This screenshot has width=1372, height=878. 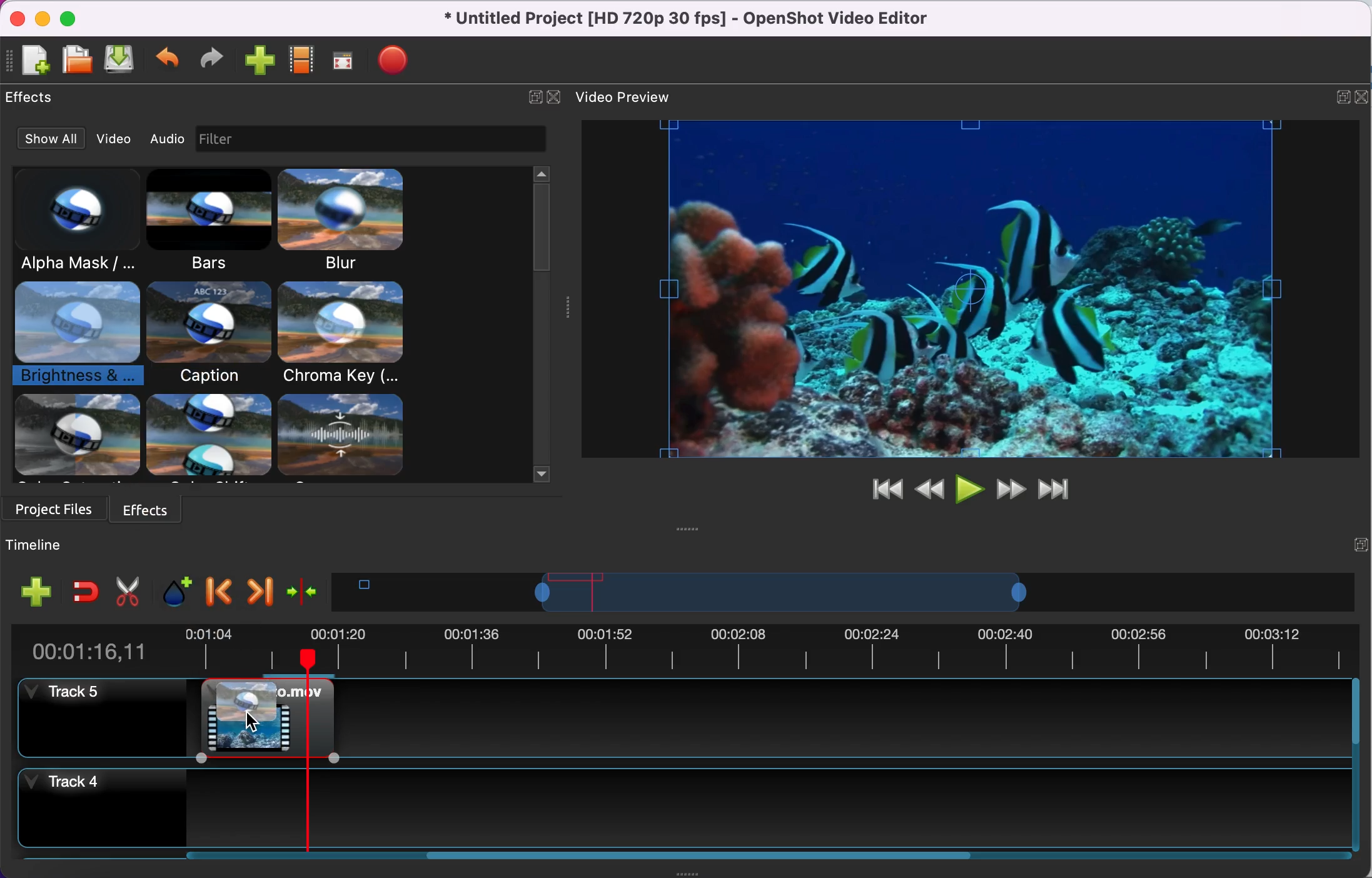 I want to click on import file, so click(x=258, y=62).